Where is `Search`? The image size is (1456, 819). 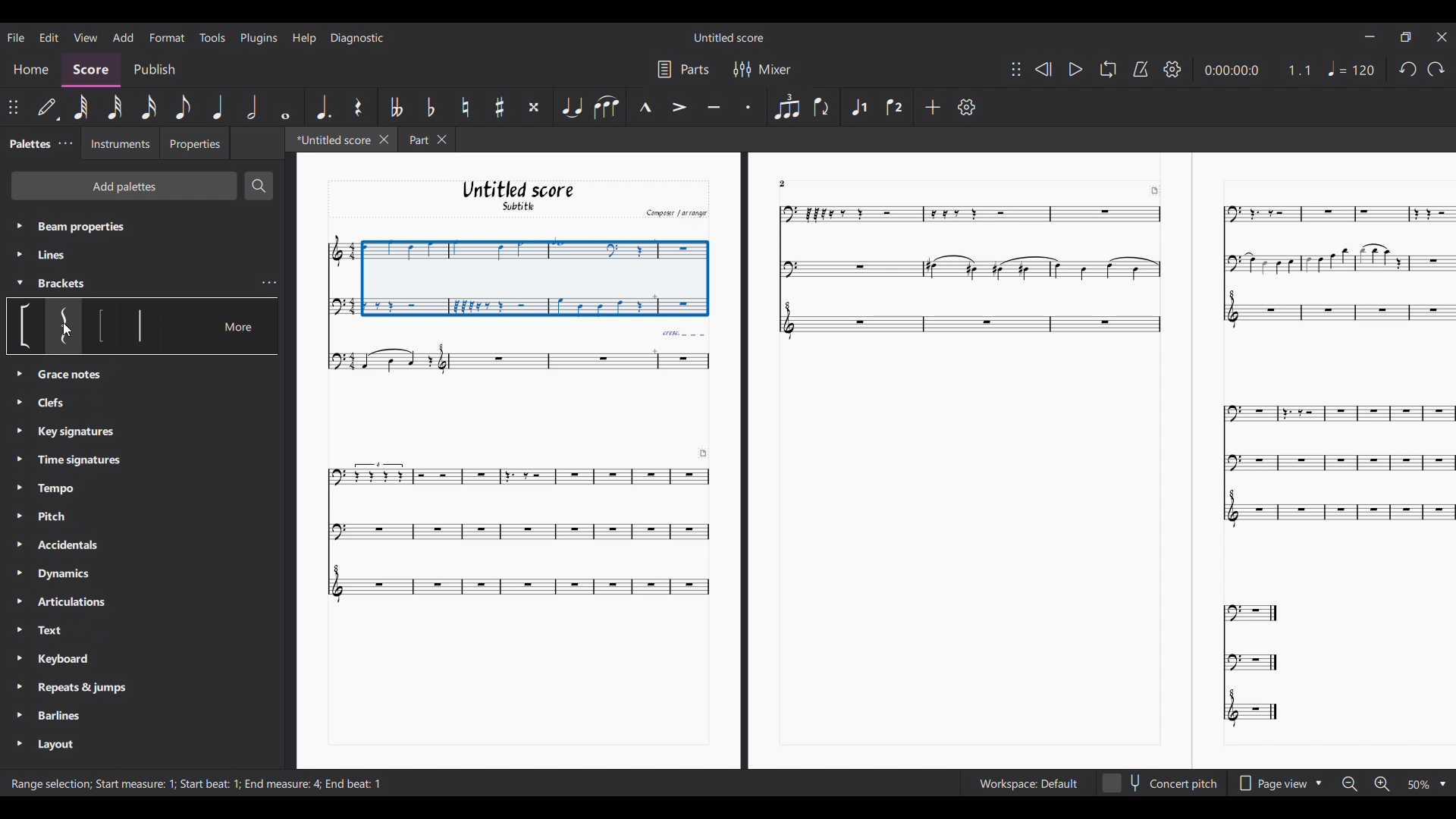 Search is located at coordinates (259, 186).